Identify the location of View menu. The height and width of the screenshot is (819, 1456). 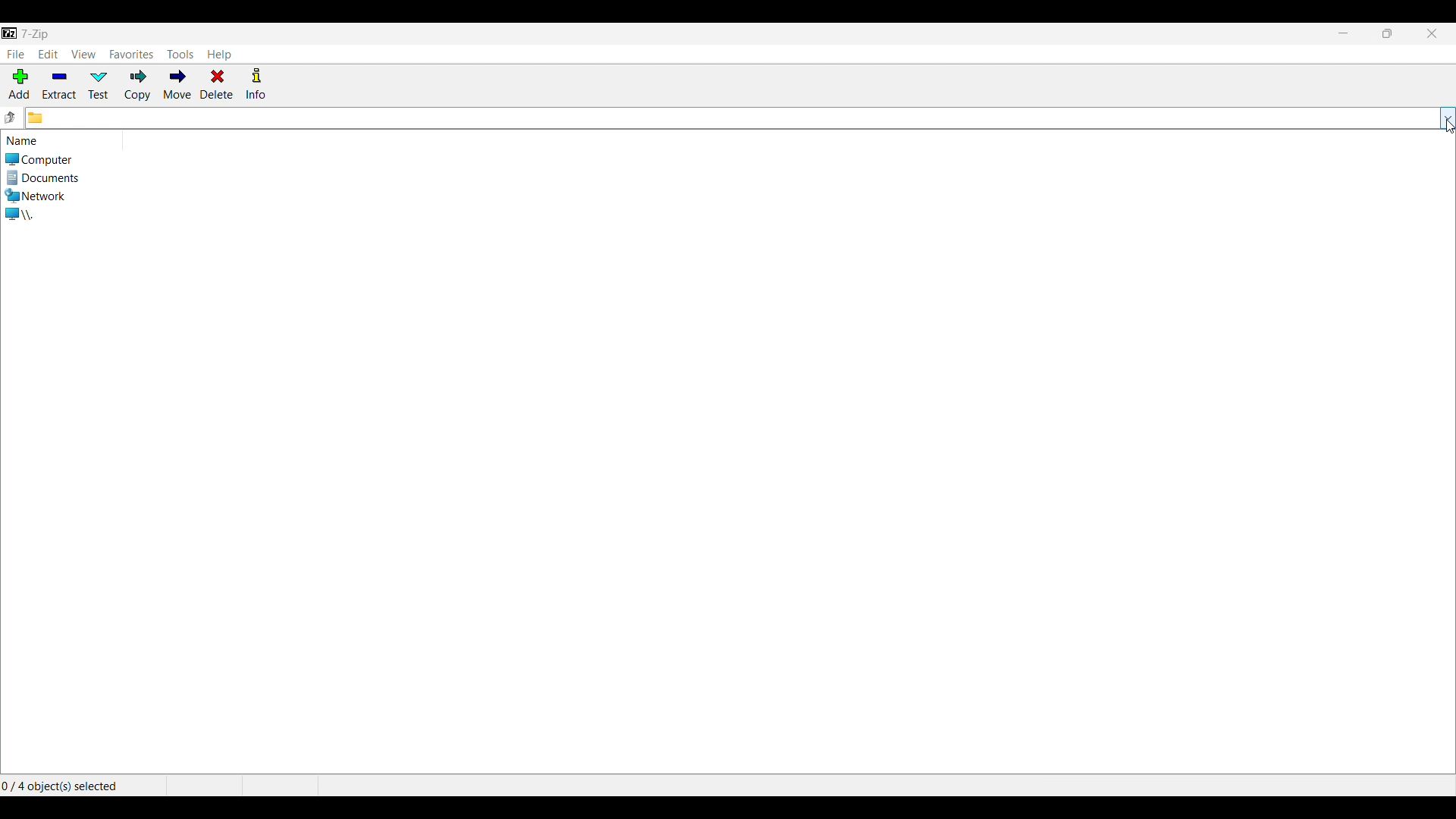
(83, 54).